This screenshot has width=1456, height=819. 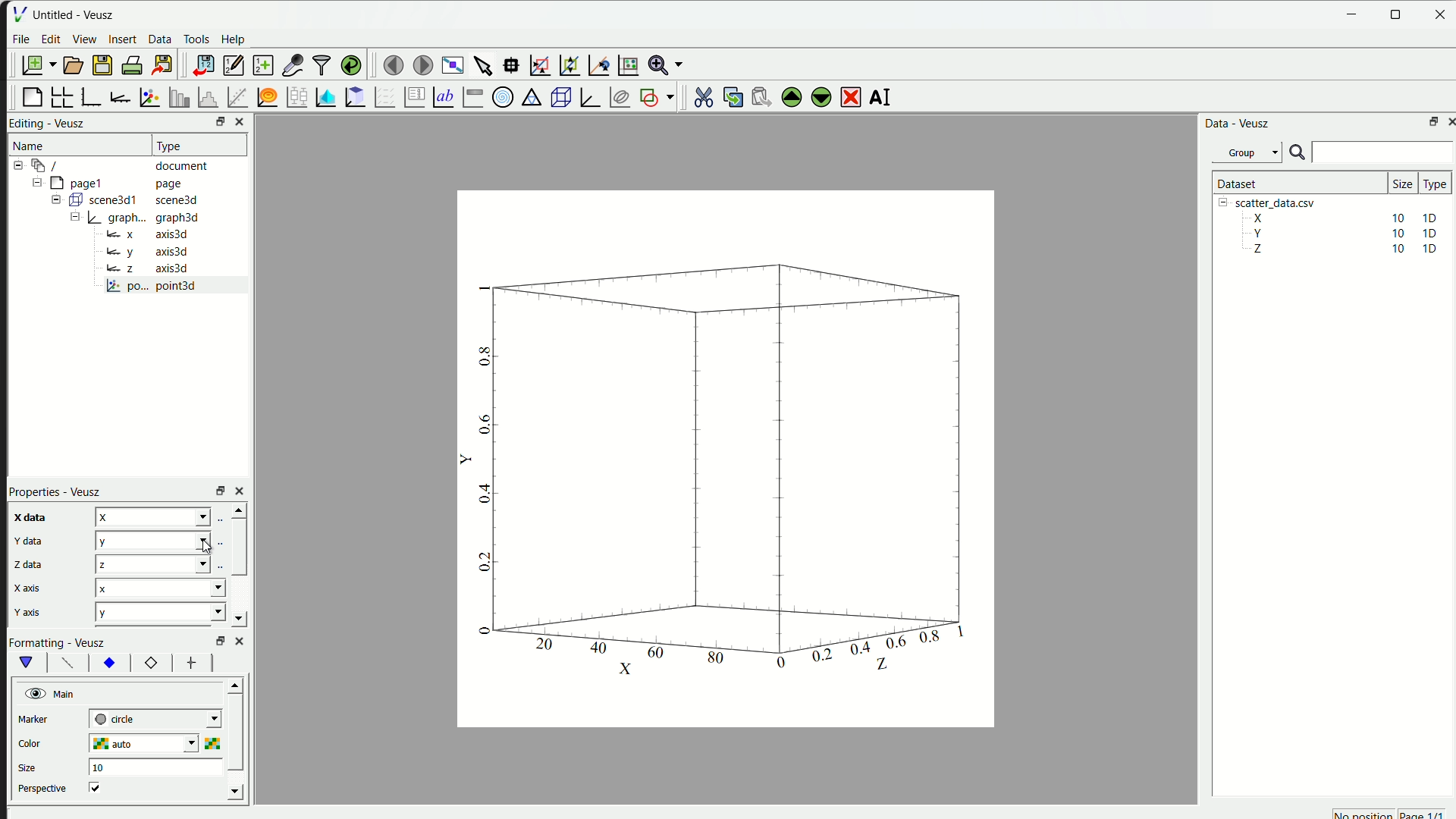 What do you see at coordinates (28, 588) in the screenshot?
I see `x axis` at bounding box center [28, 588].